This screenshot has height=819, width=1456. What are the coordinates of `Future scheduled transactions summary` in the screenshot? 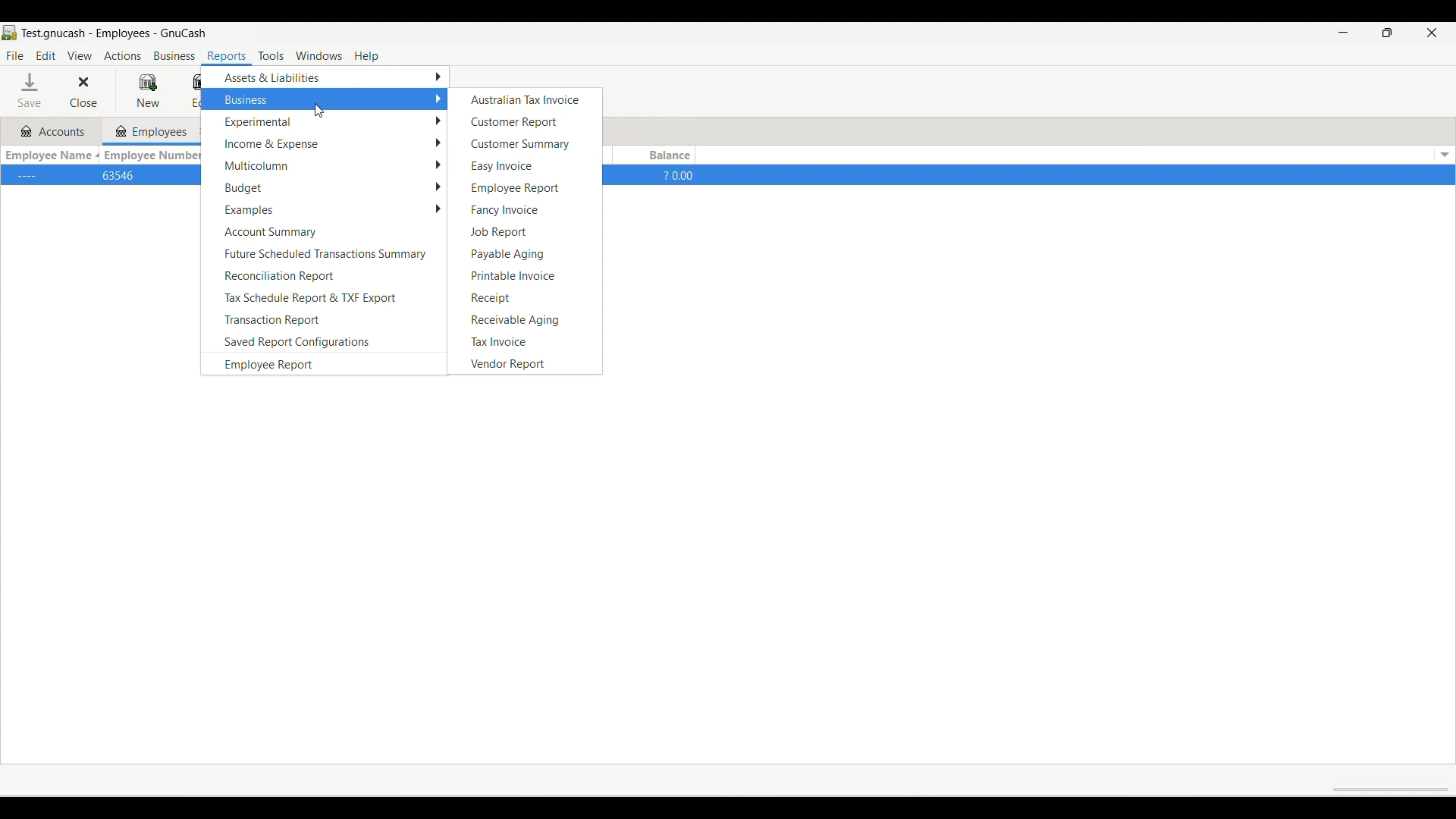 It's located at (323, 253).